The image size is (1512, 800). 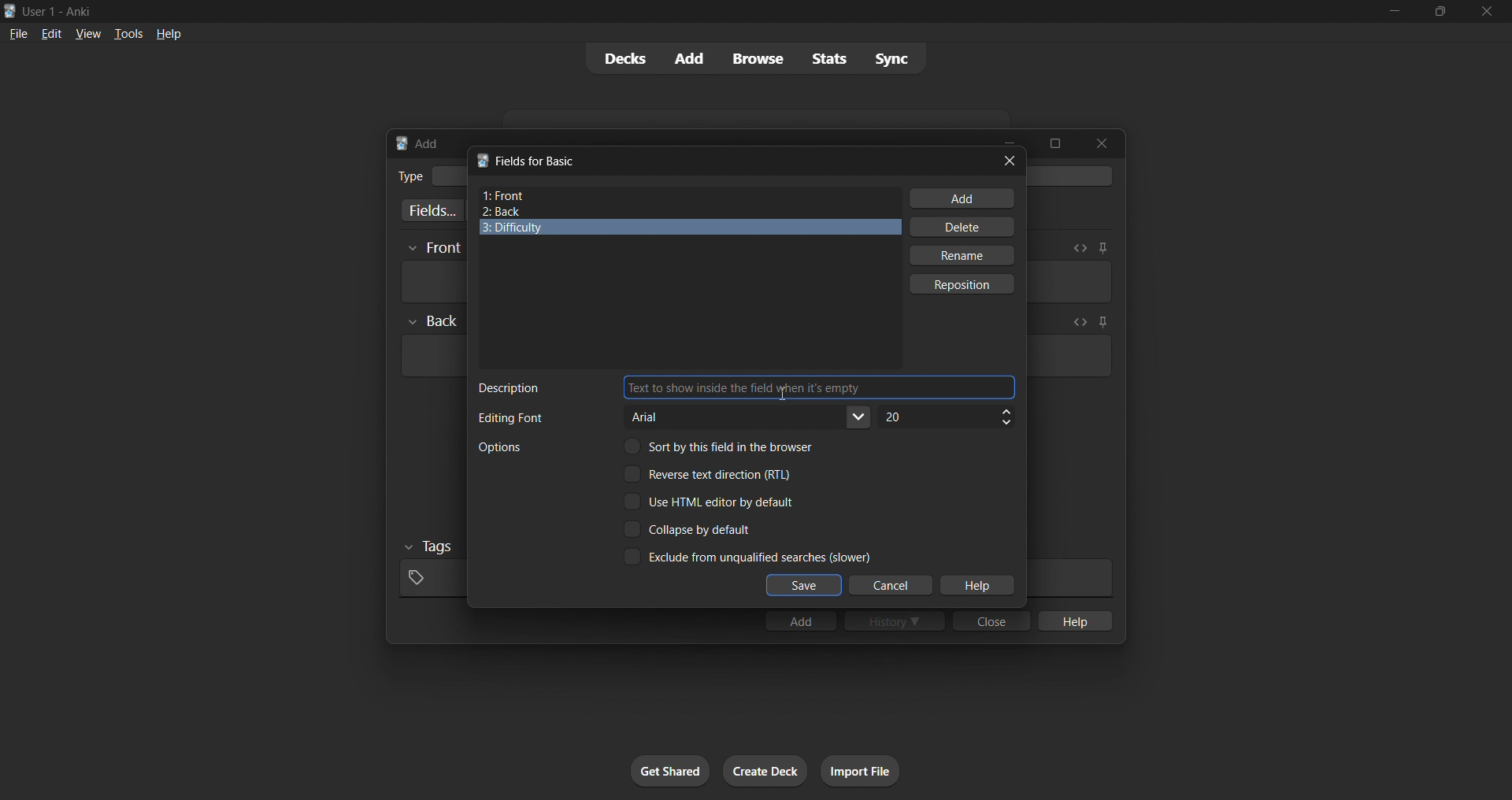 What do you see at coordinates (482, 160) in the screenshot?
I see `Anki logo` at bounding box center [482, 160].